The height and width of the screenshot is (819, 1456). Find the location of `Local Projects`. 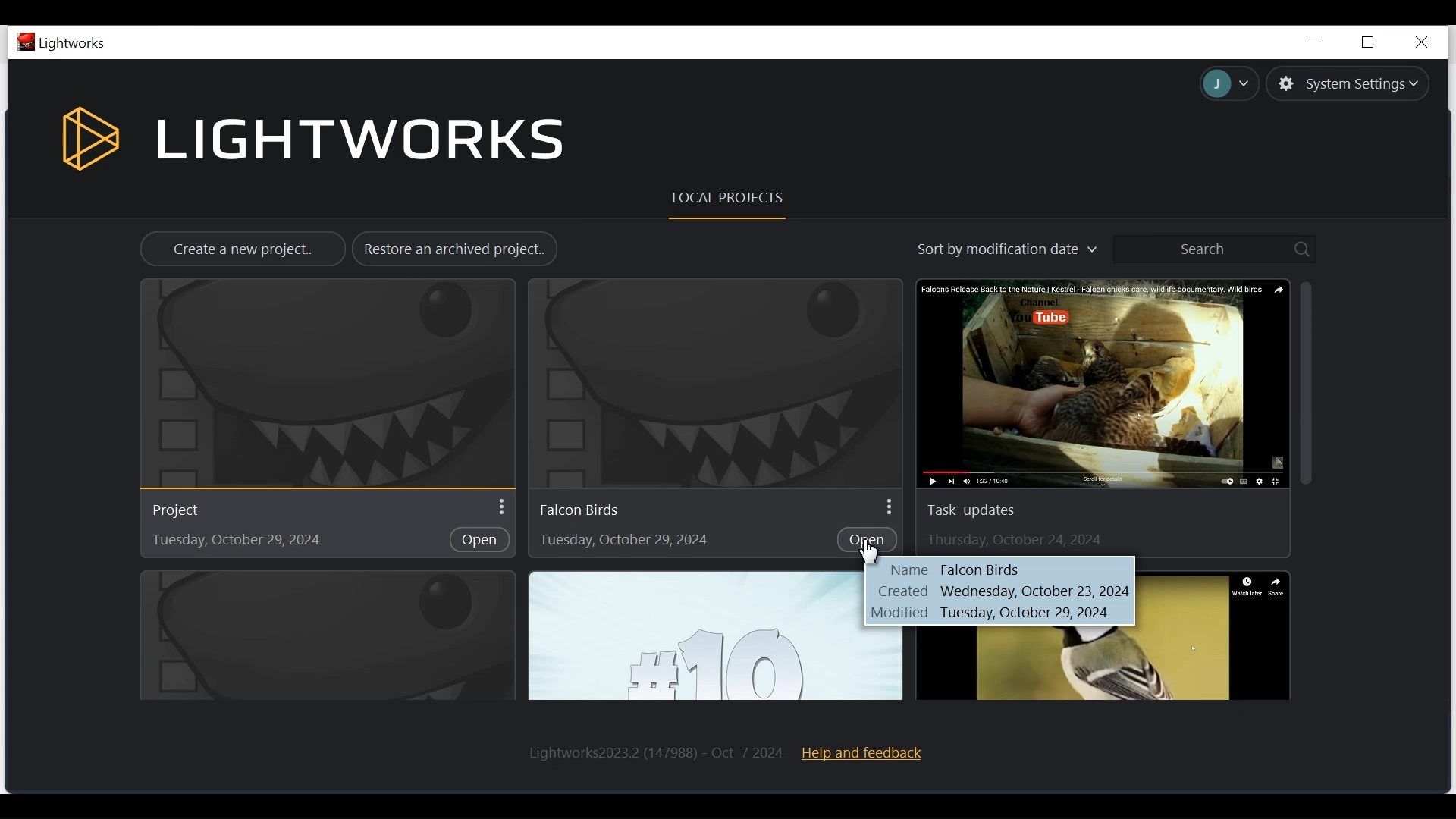

Local Projects is located at coordinates (723, 197).